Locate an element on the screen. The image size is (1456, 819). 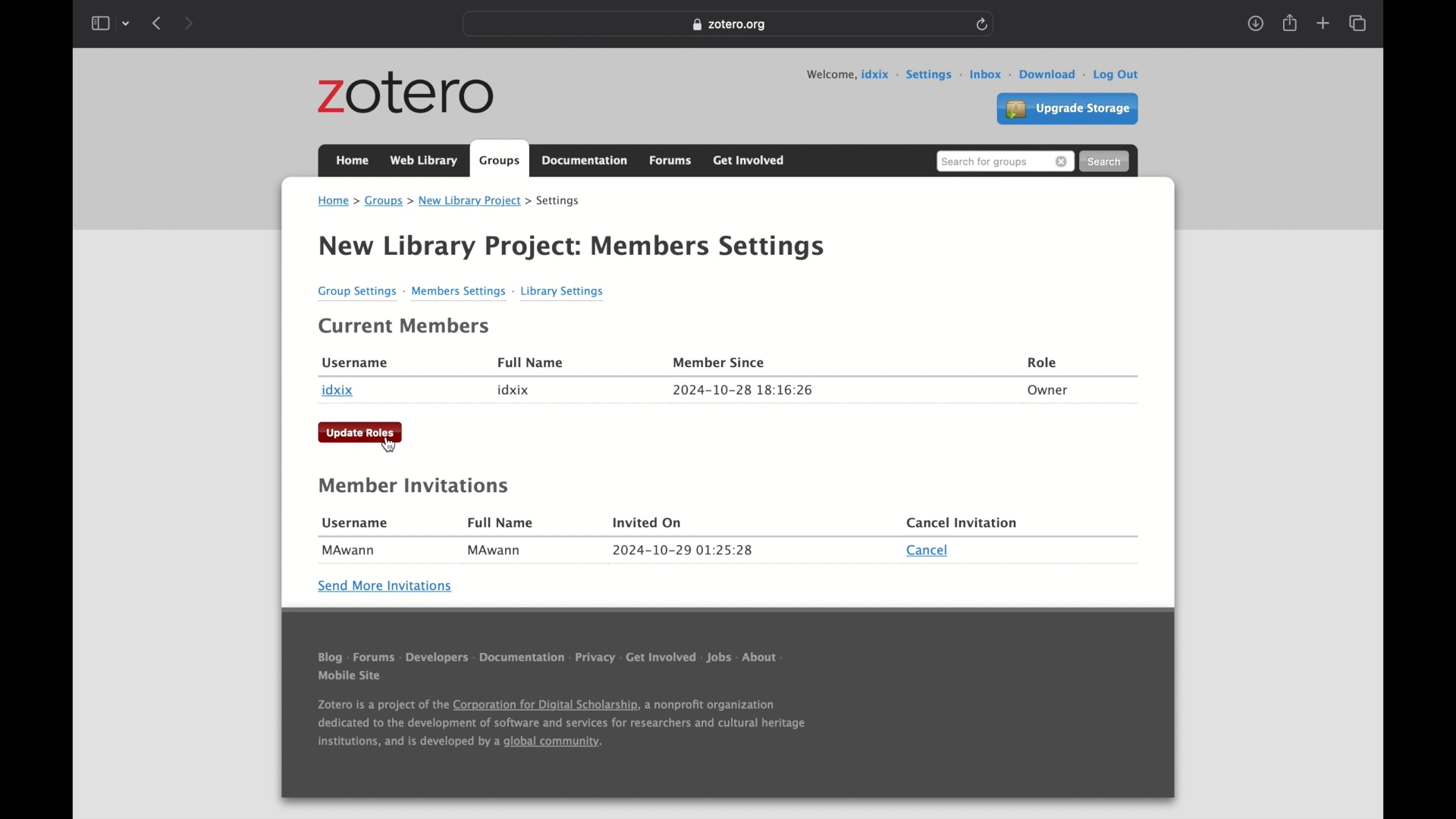
developers is located at coordinates (437, 654).